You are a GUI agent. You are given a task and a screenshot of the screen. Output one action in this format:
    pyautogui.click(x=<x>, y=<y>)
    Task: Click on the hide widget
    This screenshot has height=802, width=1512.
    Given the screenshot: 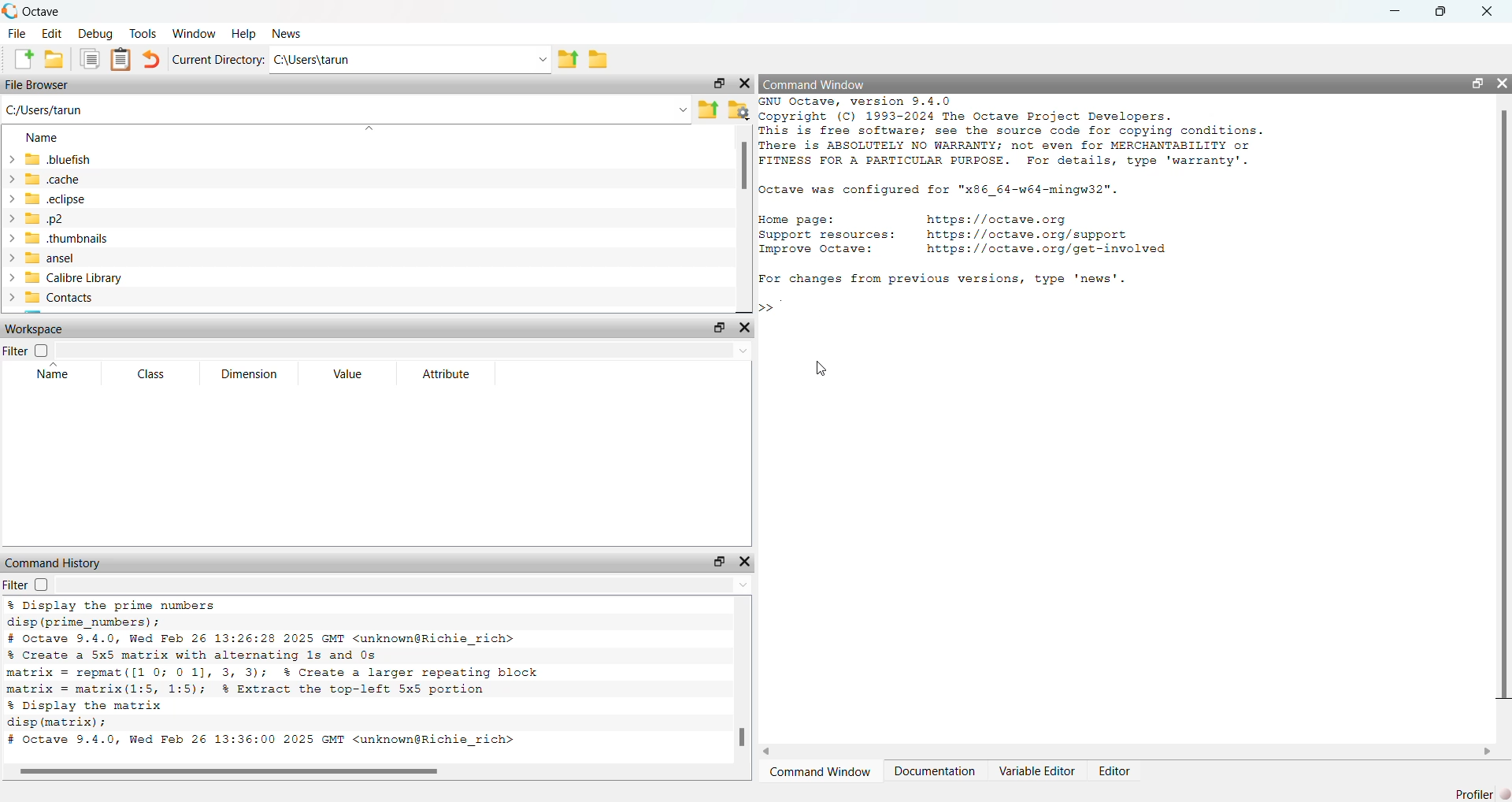 What is the action you would take?
    pyautogui.click(x=746, y=84)
    